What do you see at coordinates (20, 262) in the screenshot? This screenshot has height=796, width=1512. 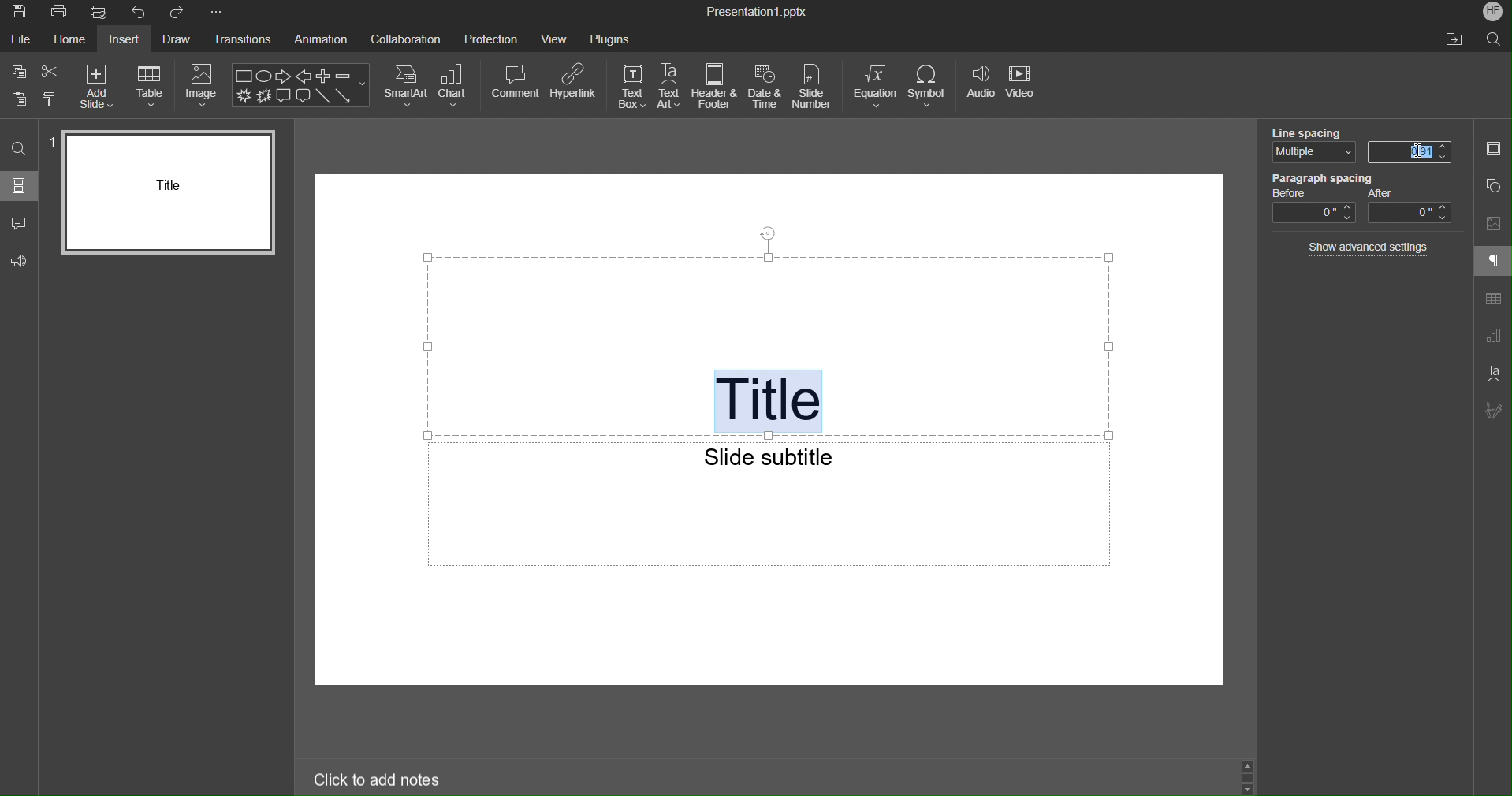 I see `Feedback` at bounding box center [20, 262].